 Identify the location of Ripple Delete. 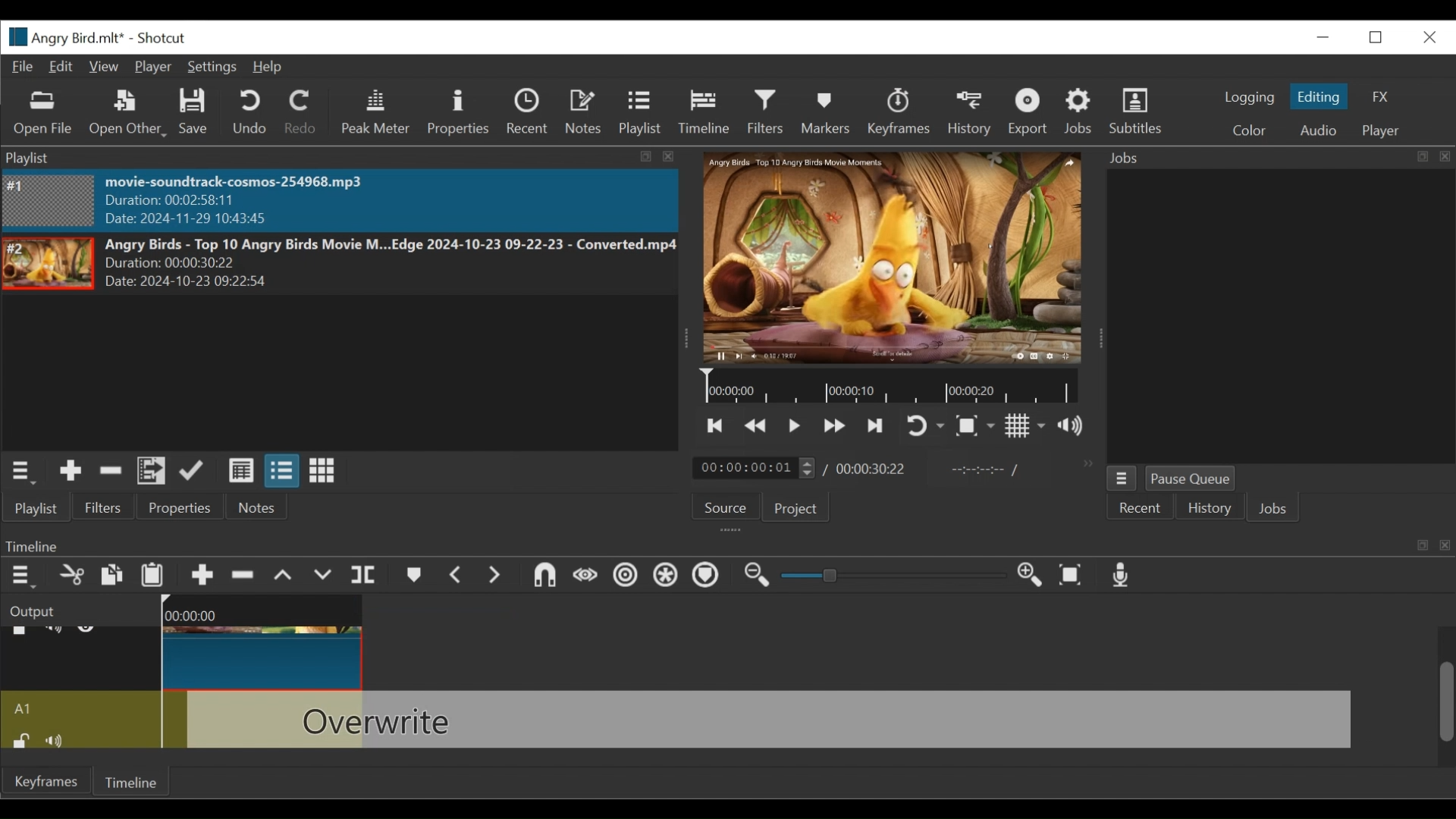
(243, 576).